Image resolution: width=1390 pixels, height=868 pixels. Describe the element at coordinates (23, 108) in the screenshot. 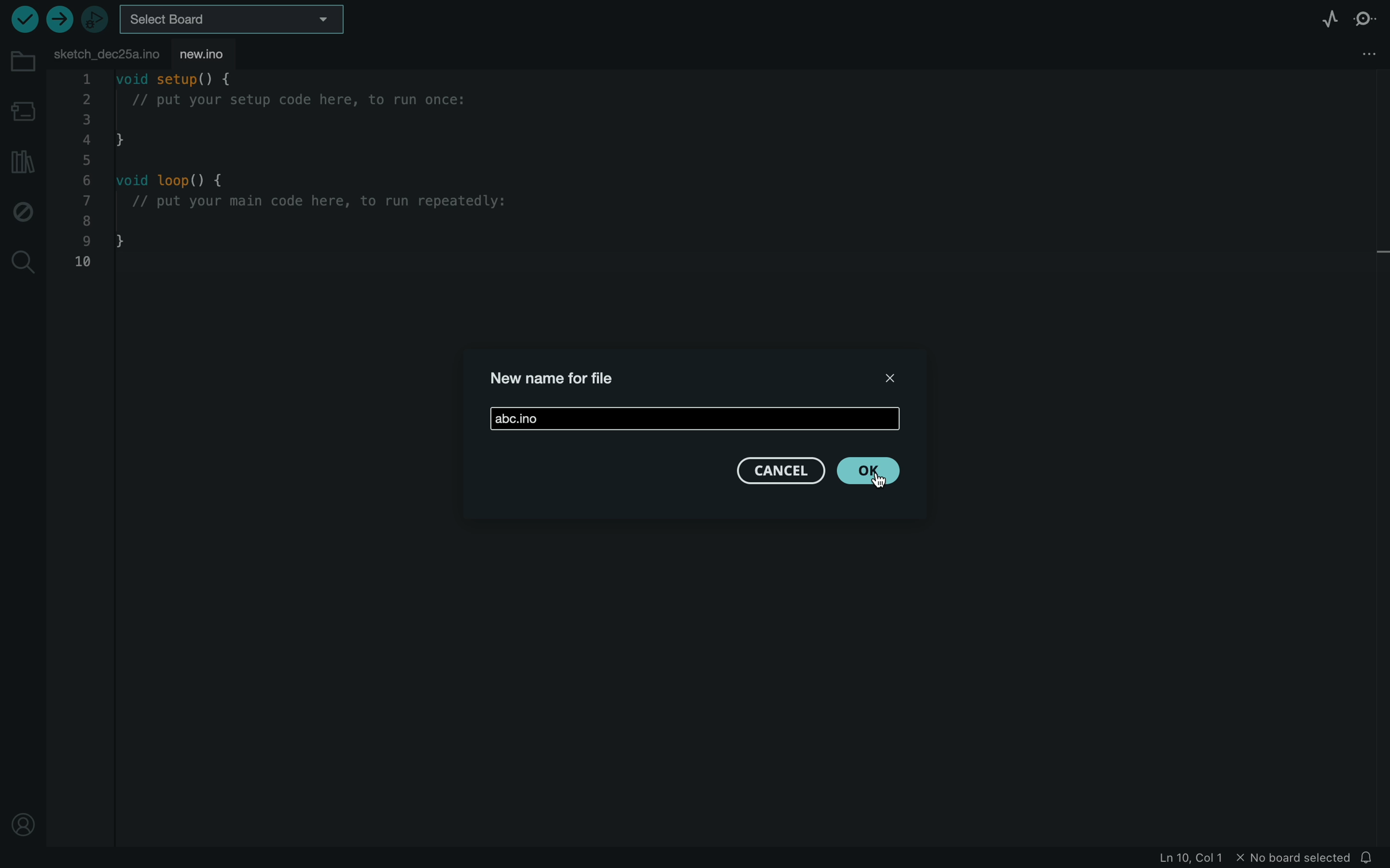

I see `board manager` at that location.